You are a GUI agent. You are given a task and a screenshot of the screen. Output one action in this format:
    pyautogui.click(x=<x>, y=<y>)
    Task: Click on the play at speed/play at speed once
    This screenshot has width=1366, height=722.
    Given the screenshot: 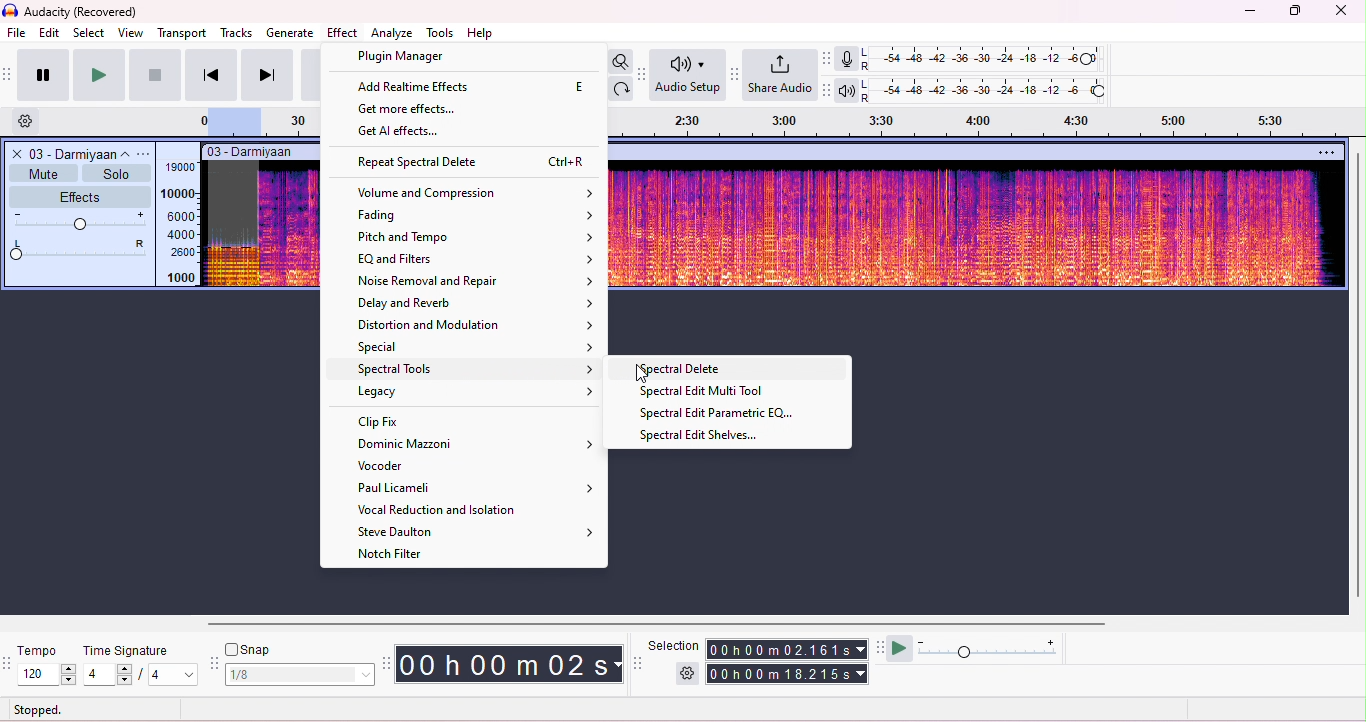 What is the action you would take?
    pyautogui.click(x=899, y=649)
    